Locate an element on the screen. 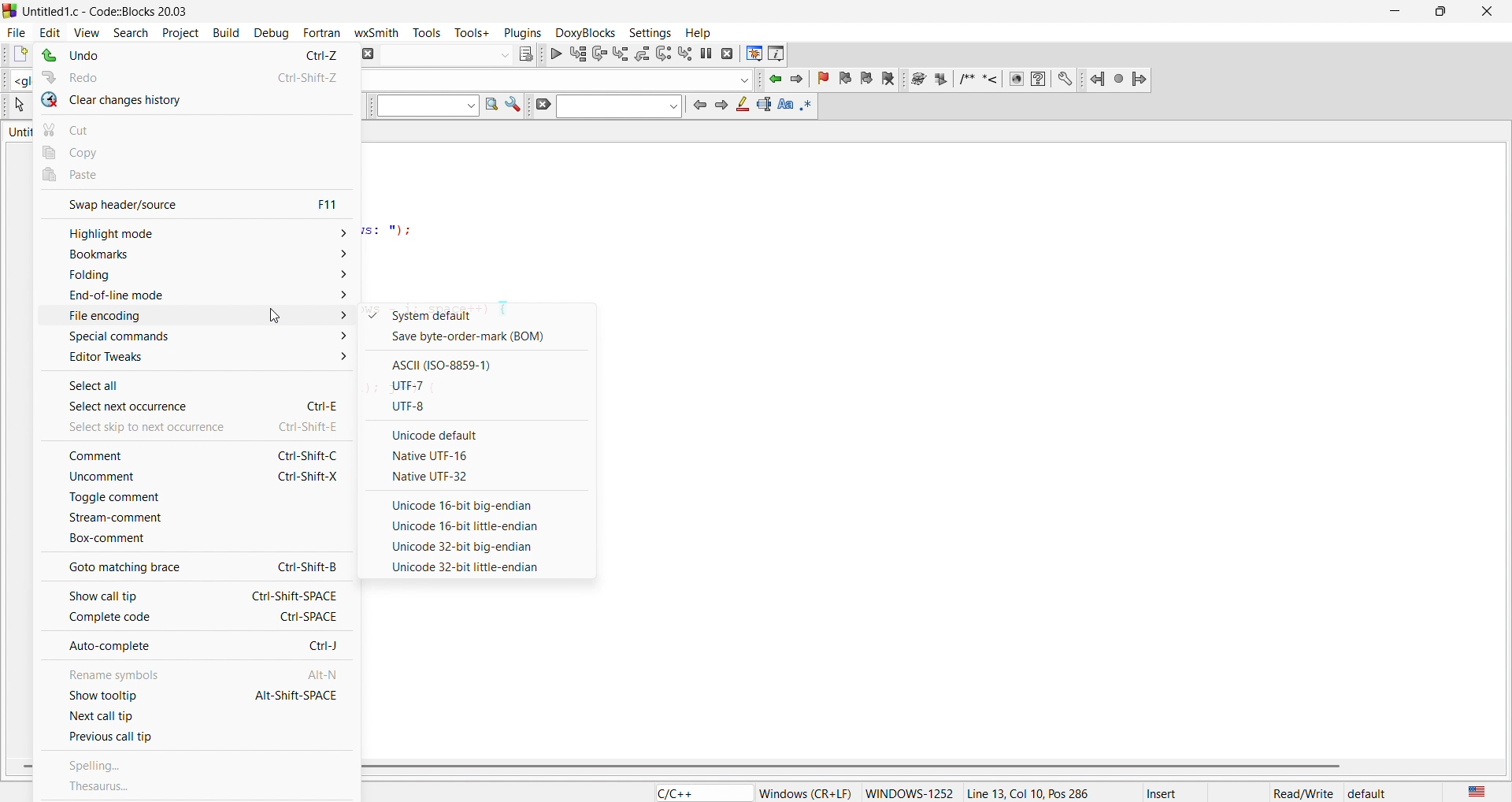 Image resolution: width=1512 pixels, height=802 pixels. build is located at coordinates (224, 34).